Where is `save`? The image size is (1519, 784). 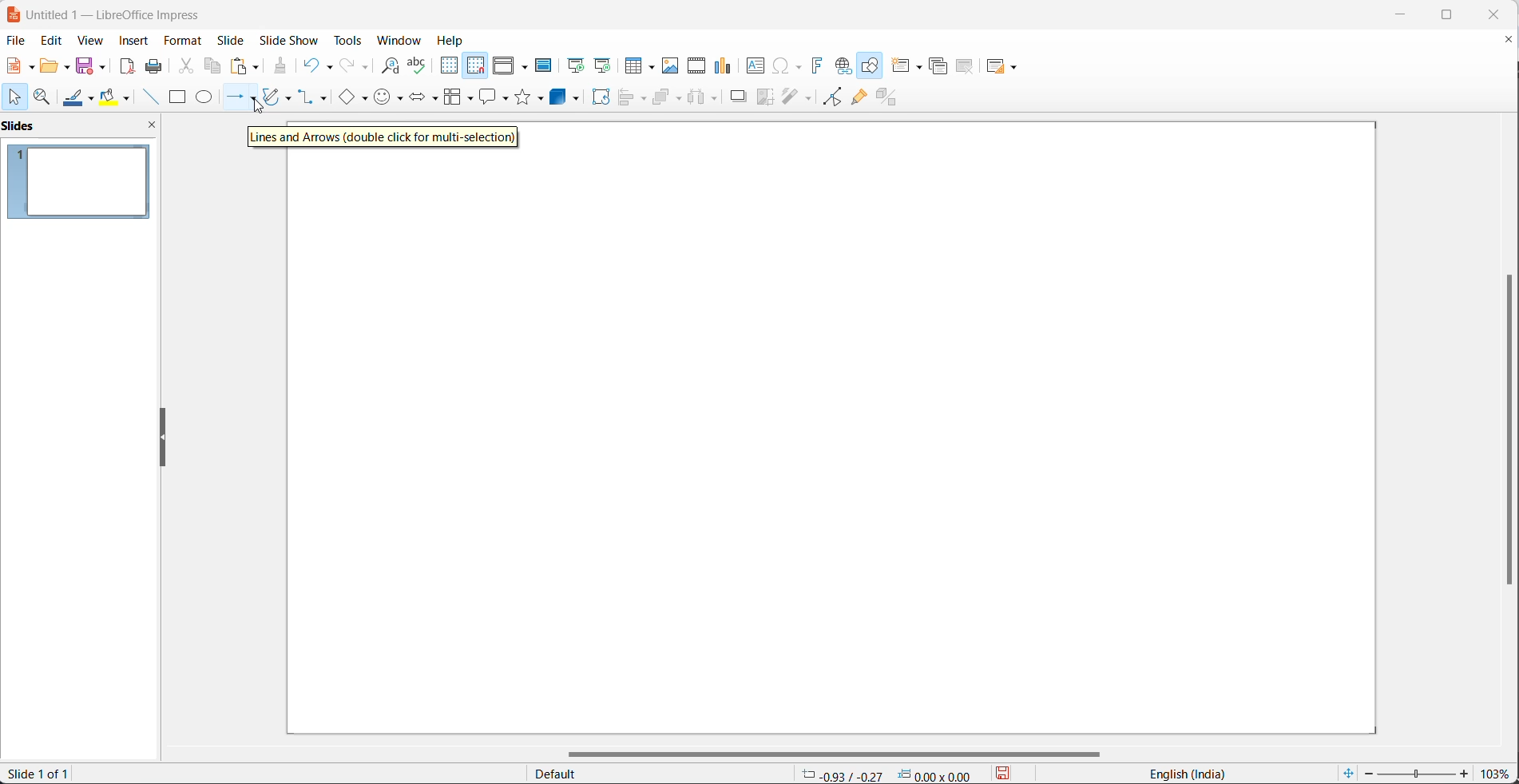
save is located at coordinates (1009, 774).